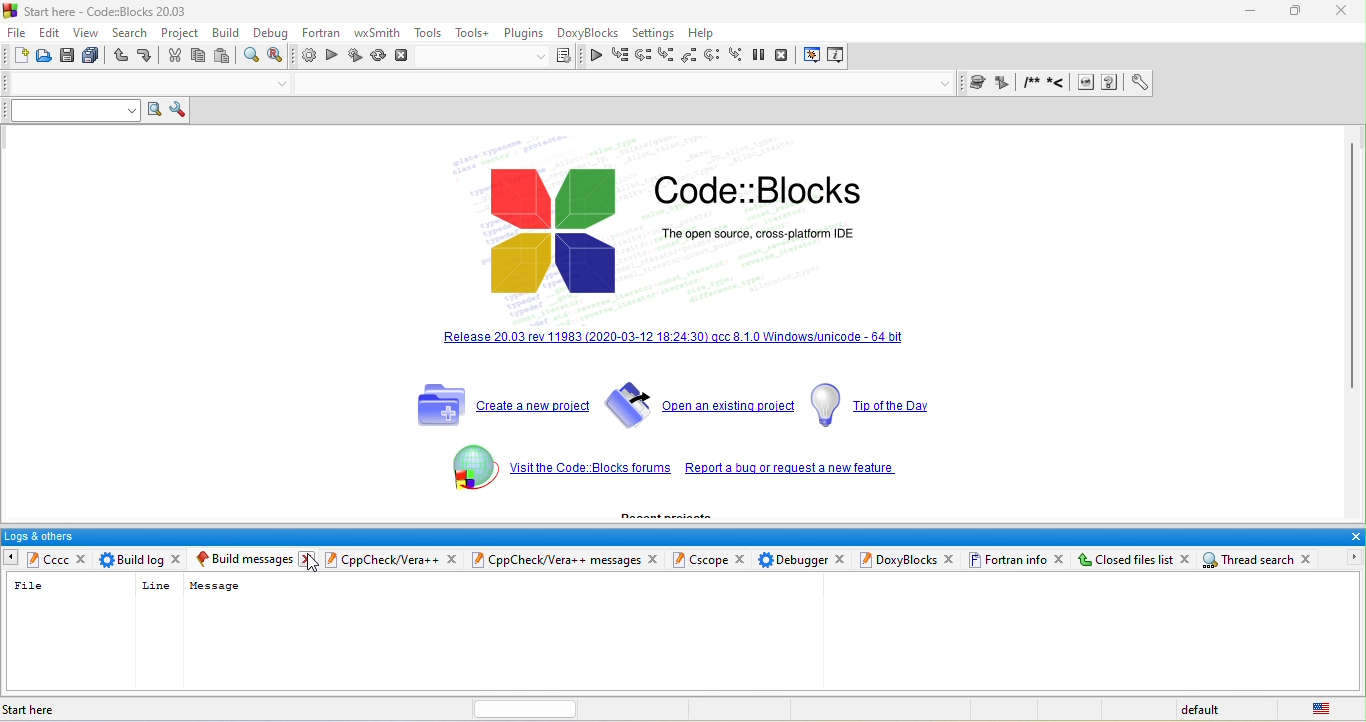 The image size is (1366, 722). Describe the element at coordinates (312, 560) in the screenshot. I see `close` at that location.